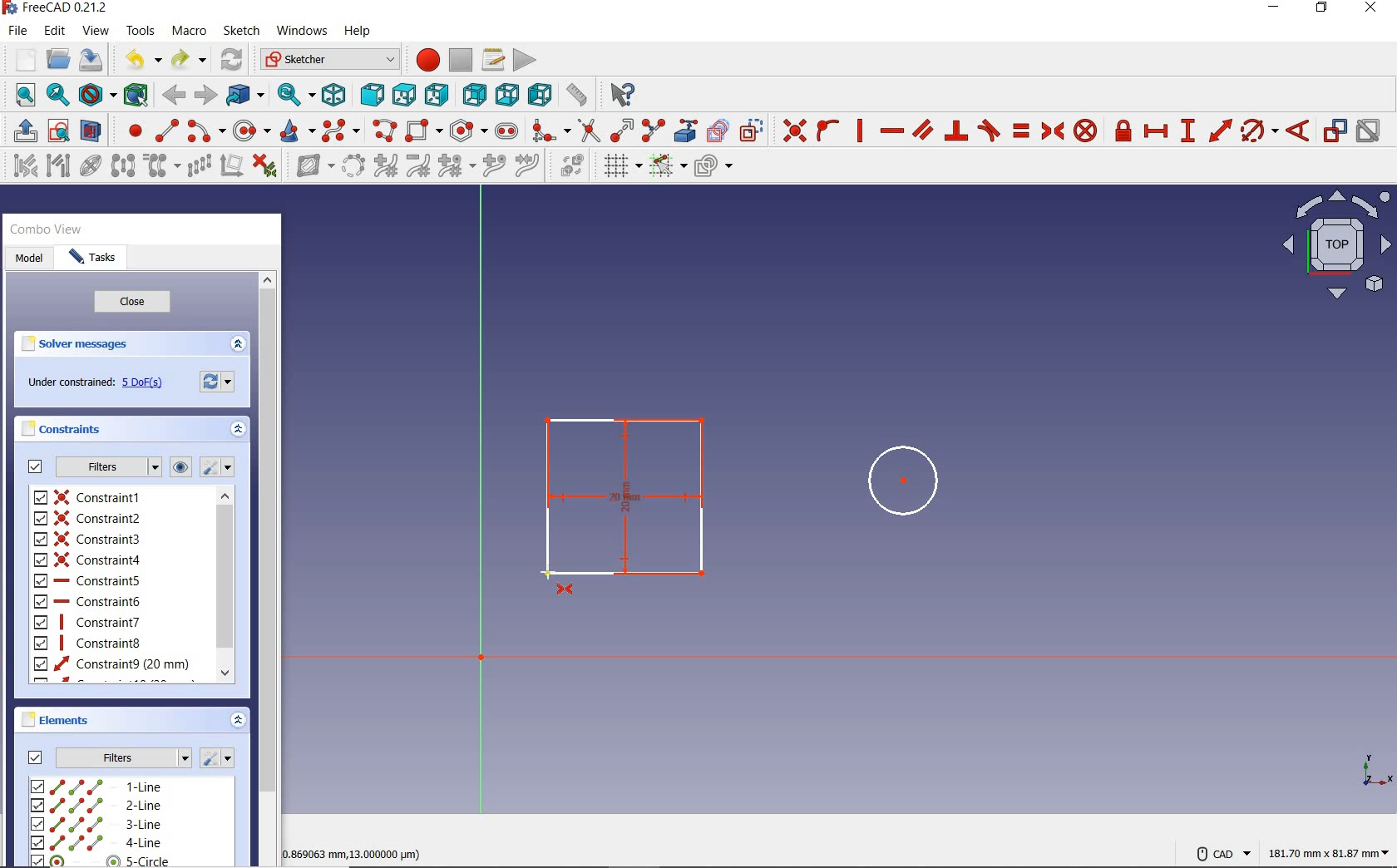 The width and height of the screenshot is (1397, 868). Describe the element at coordinates (329, 60) in the screenshot. I see `Sketcher` at that location.